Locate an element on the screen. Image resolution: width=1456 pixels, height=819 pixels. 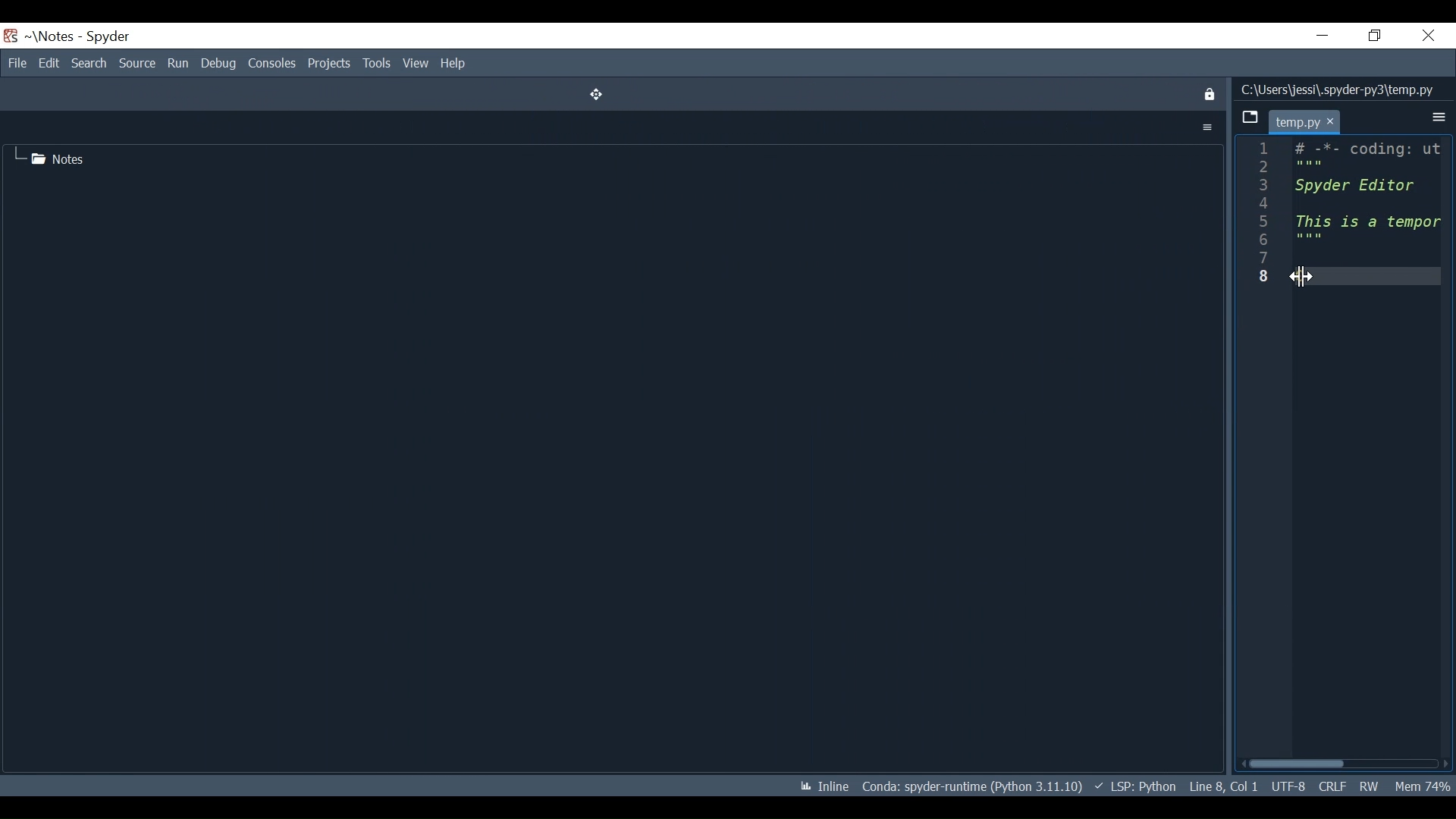
Move is located at coordinates (592, 94).